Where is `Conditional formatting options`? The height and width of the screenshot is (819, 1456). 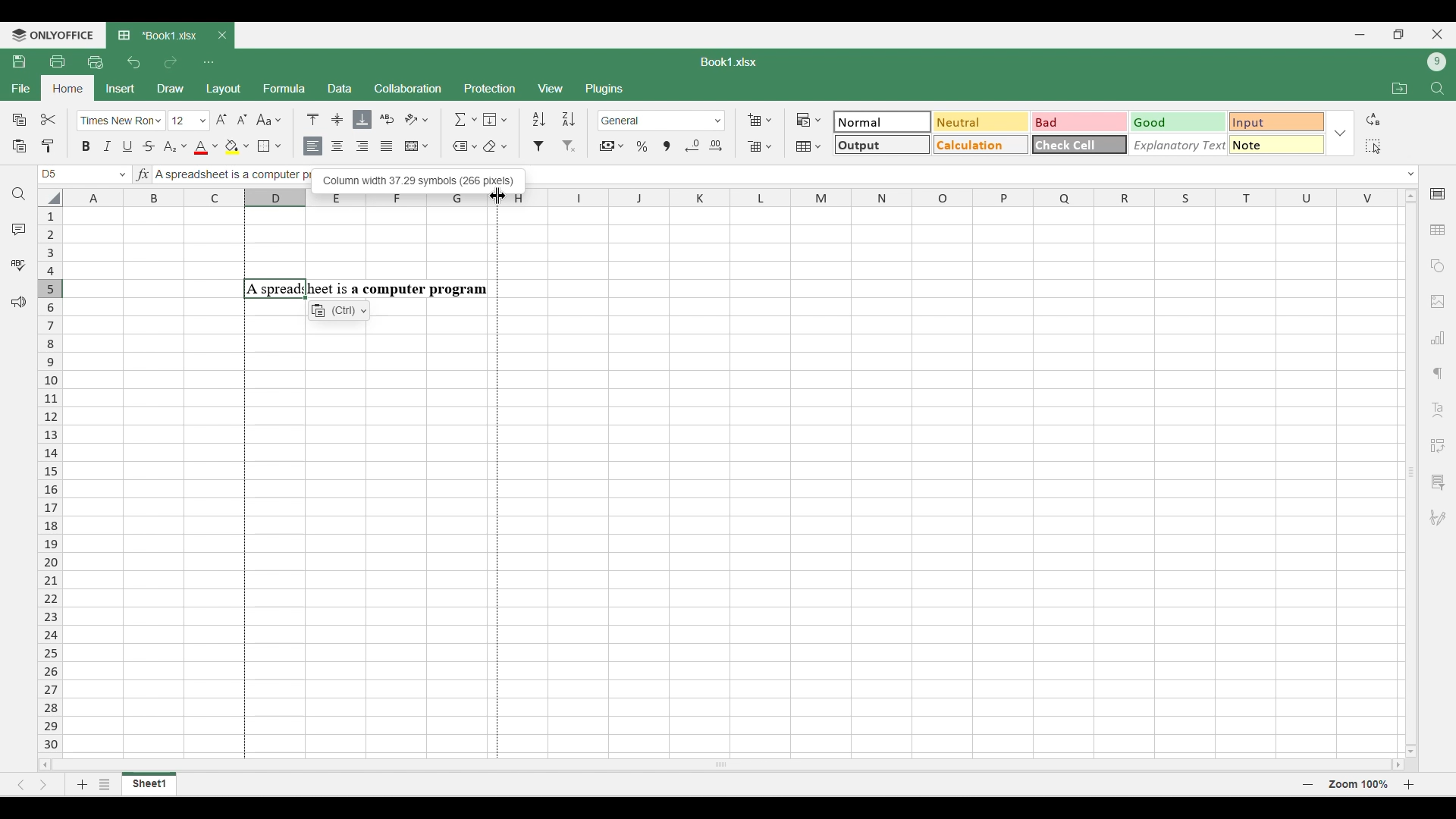
Conditional formatting options is located at coordinates (809, 120).